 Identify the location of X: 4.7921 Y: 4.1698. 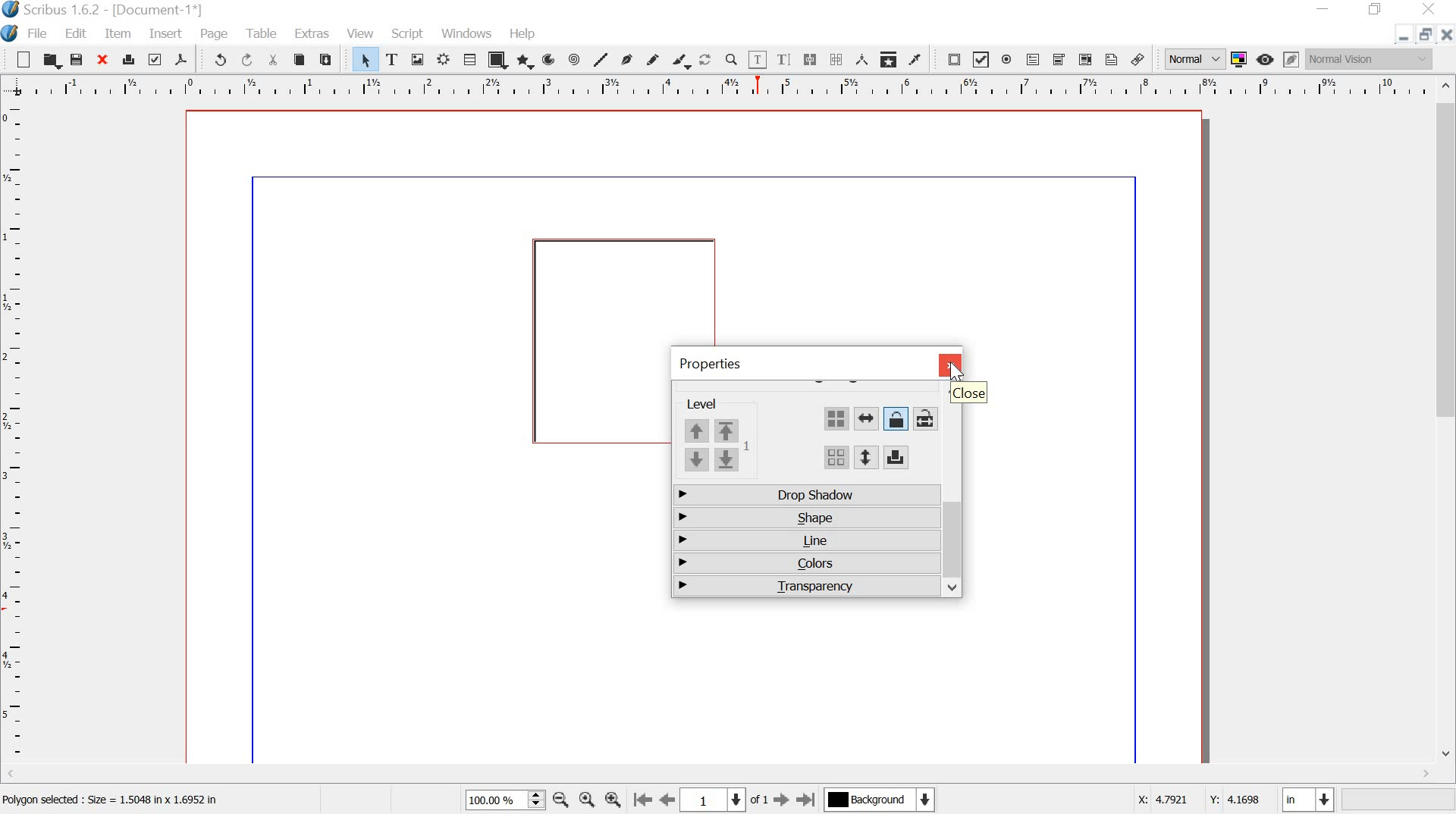
(1200, 802).